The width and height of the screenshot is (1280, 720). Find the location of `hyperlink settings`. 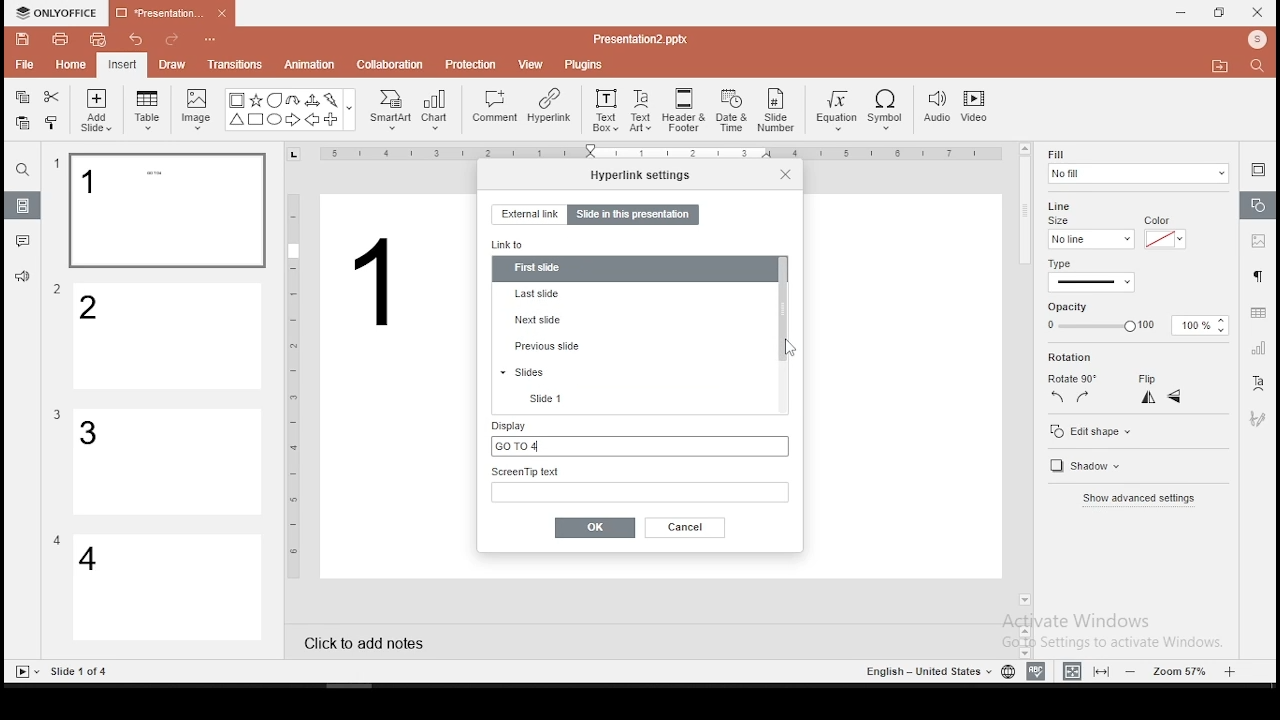

hyperlink settings is located at coordinates (641, 174).